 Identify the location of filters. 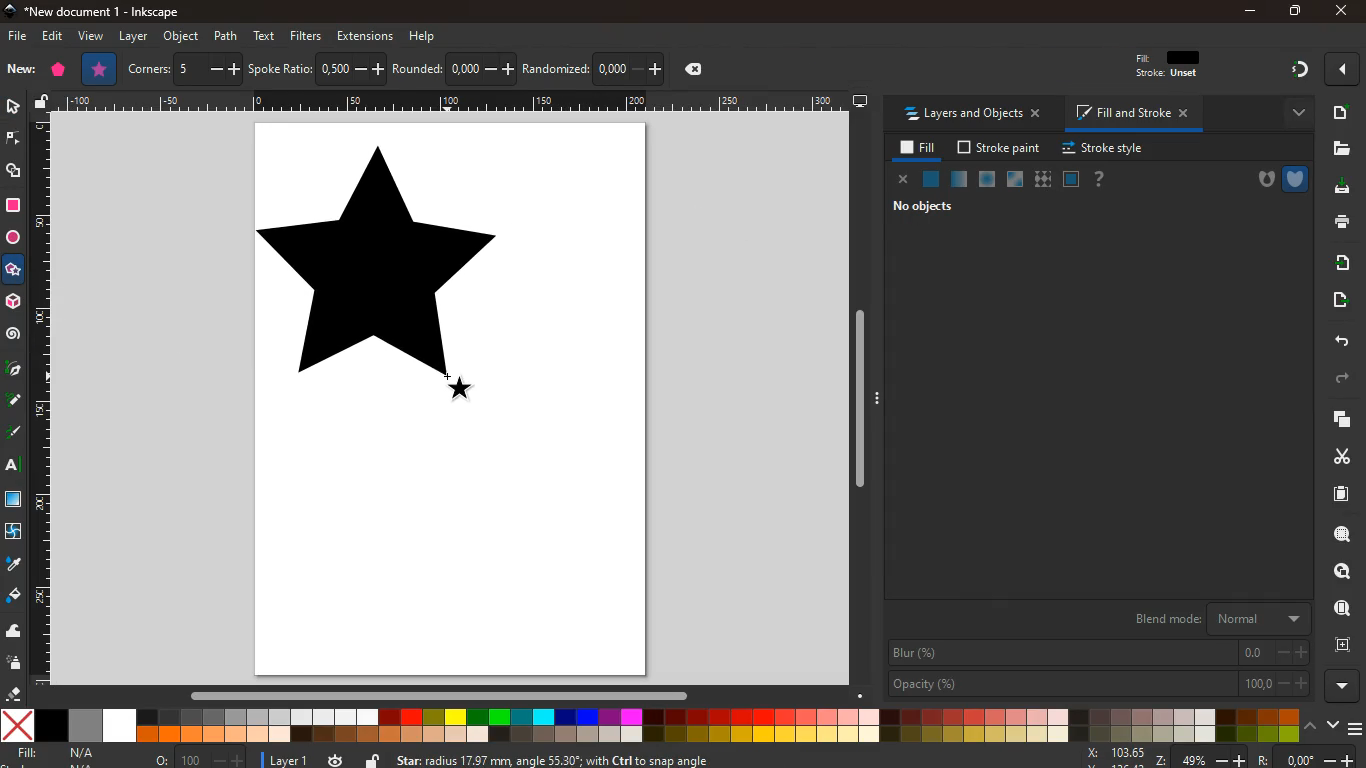
(306, 35).